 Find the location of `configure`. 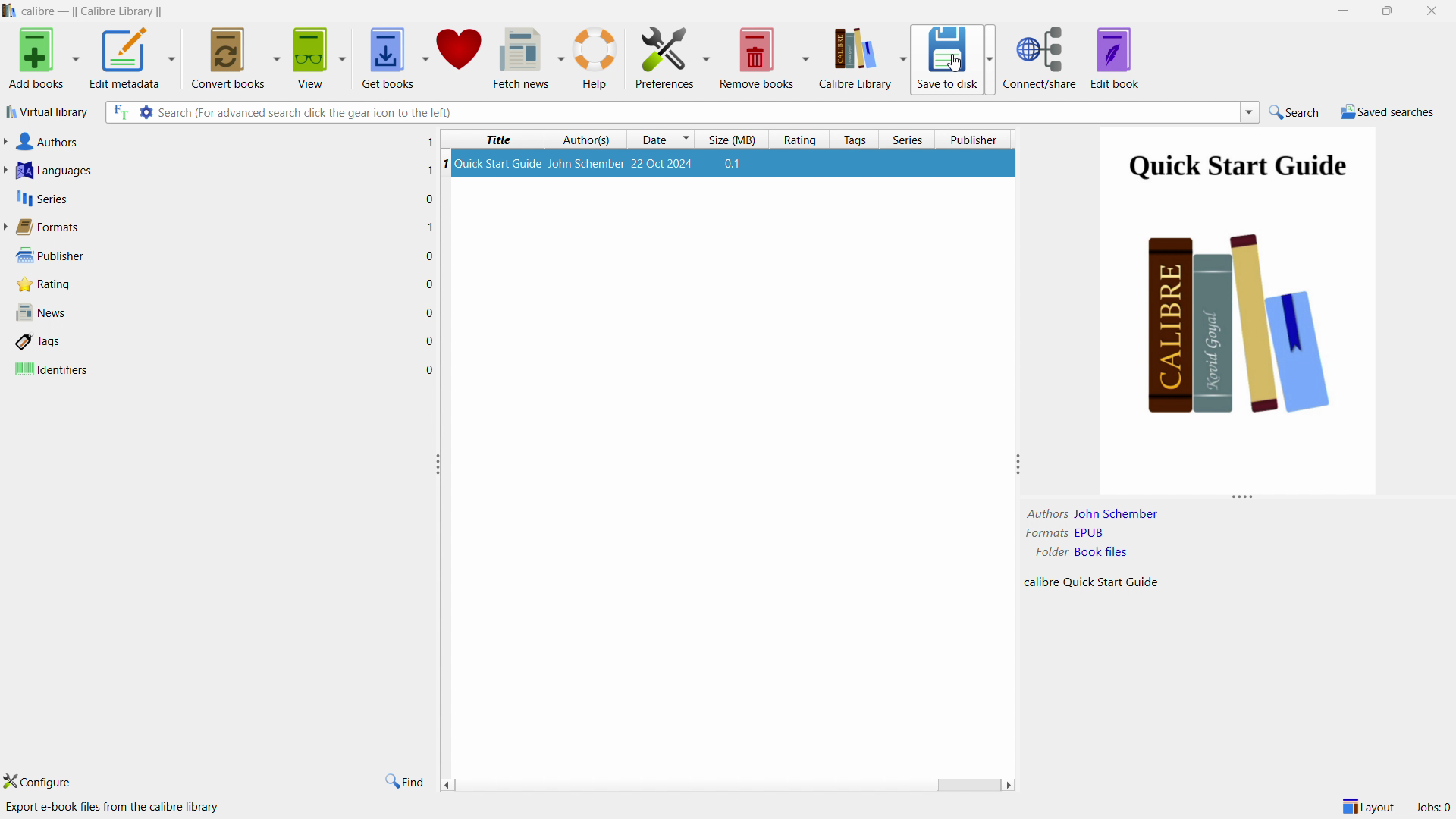

configure is located at coordinates (43, 780).